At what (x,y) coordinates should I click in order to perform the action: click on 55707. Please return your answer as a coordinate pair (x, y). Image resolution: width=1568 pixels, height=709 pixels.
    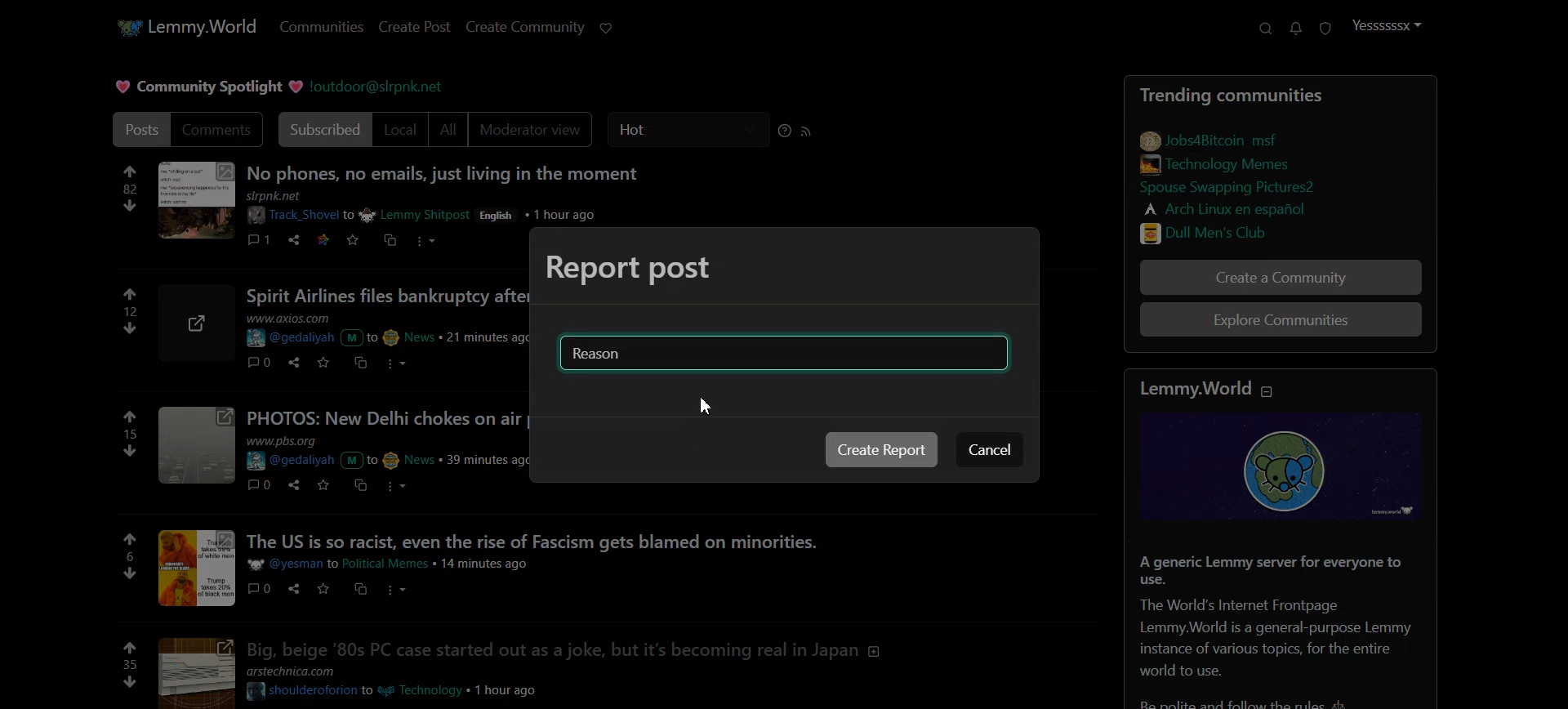
    Looking at the image, I should click on (132, 326).